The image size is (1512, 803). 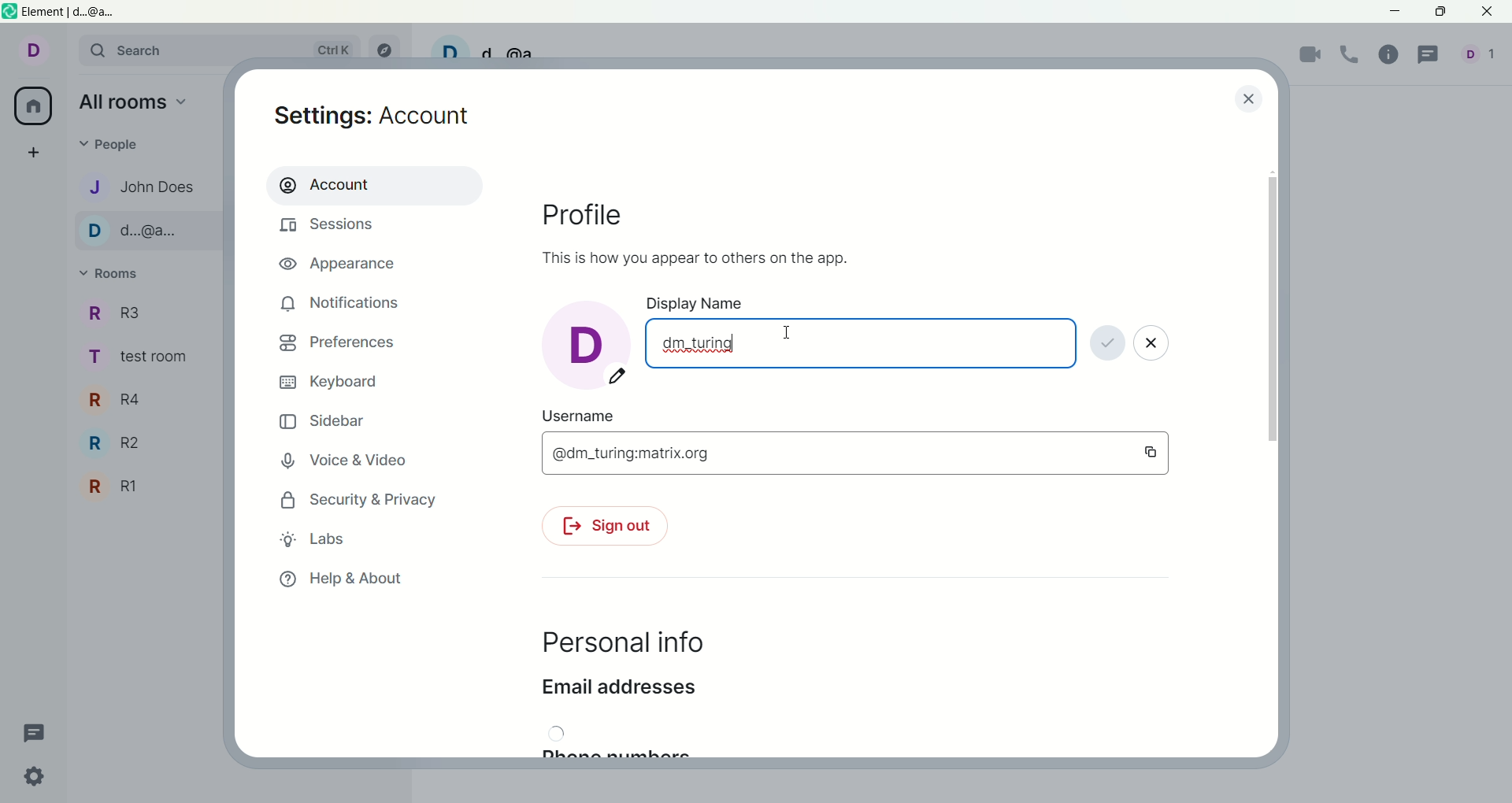 I want to click on video call, so click(x=1311, y=57).